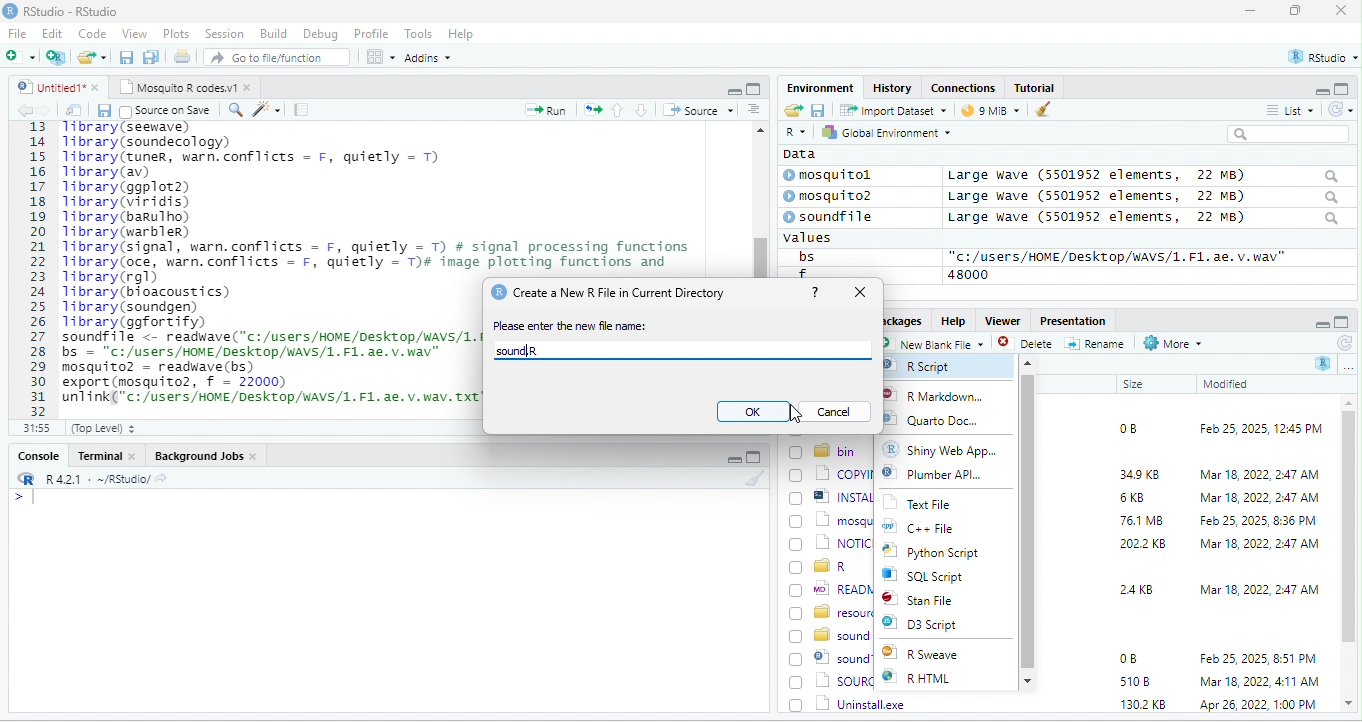  What do you see at coordinates (948, 479) in the screenshot?
I see `Plumber APL...` at bounding box center [948, 479].